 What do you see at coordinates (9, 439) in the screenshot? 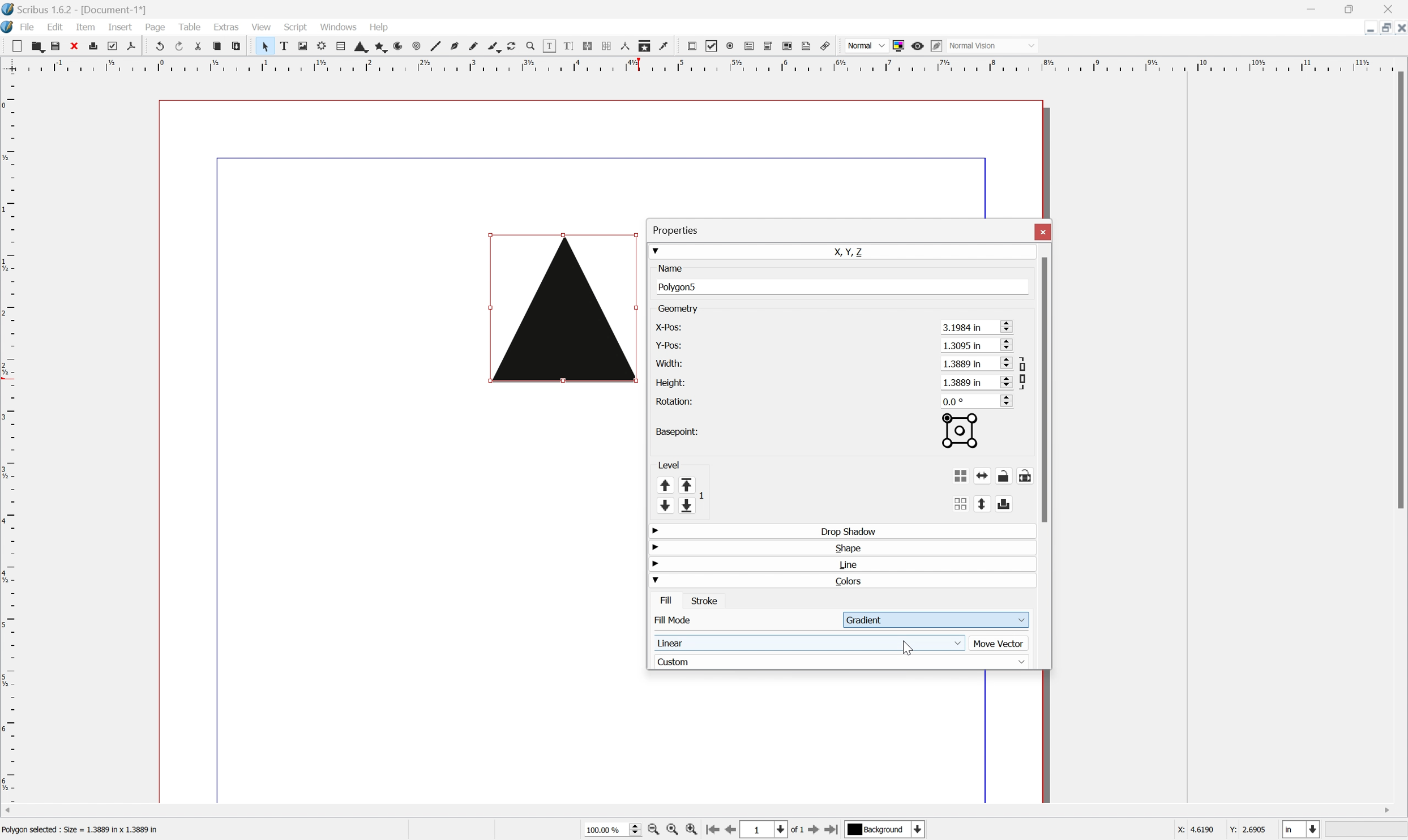
I see `Scale` at bounding box center [9, 439].